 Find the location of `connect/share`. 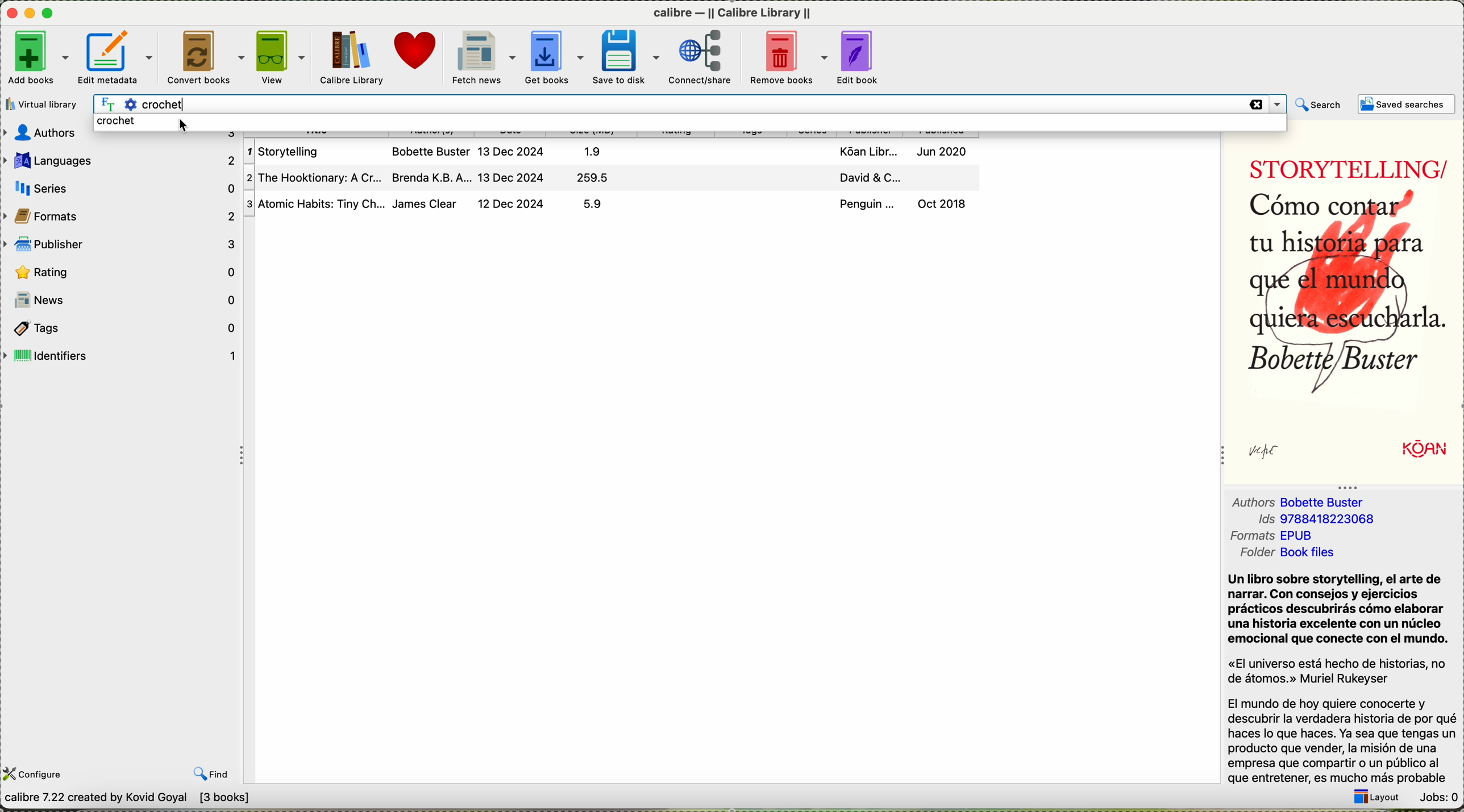

connect/share is located at coordinates (702, 56).